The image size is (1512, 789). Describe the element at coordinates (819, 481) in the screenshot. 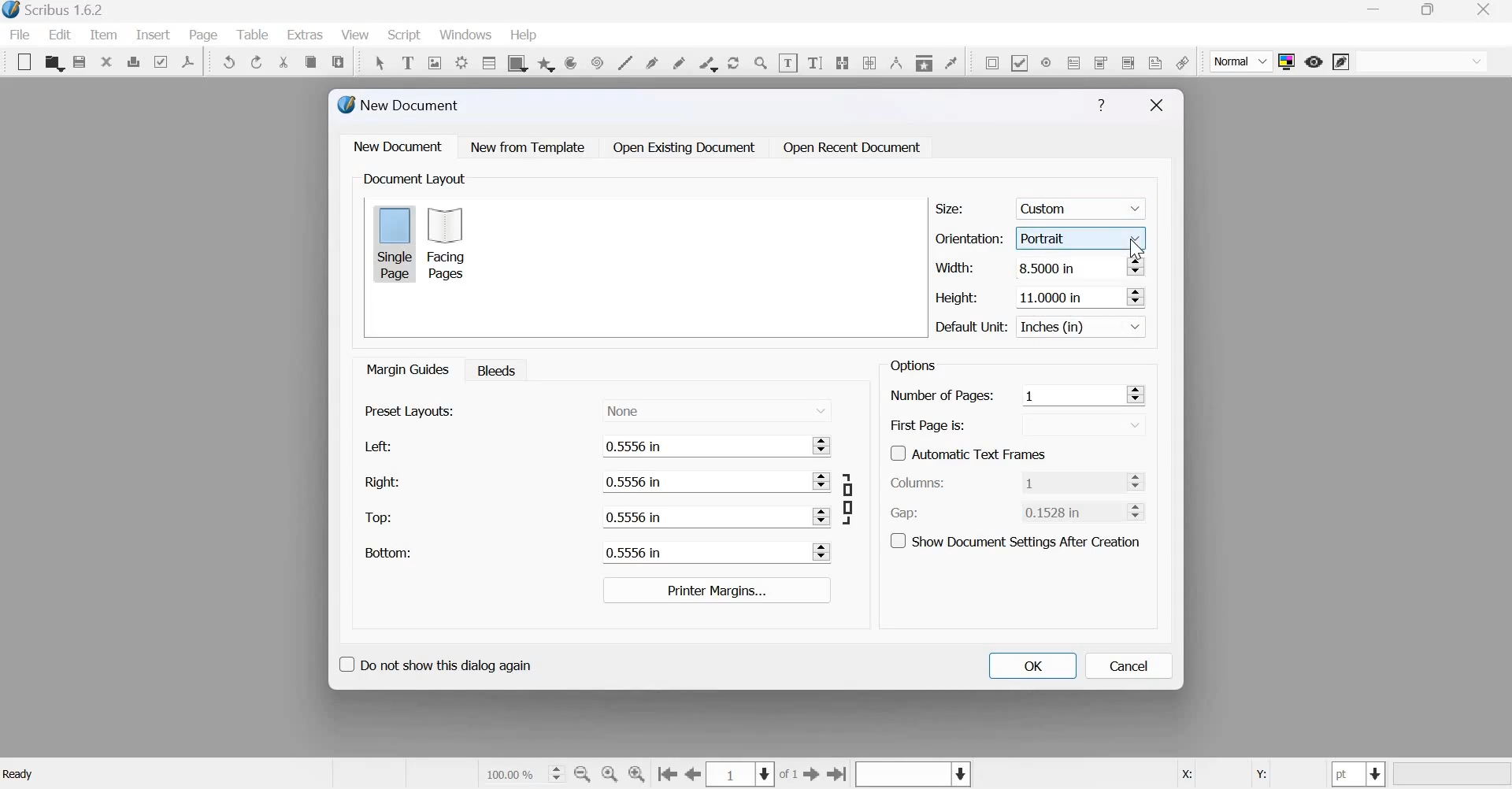

I see `Increase and Decrease` at that location.